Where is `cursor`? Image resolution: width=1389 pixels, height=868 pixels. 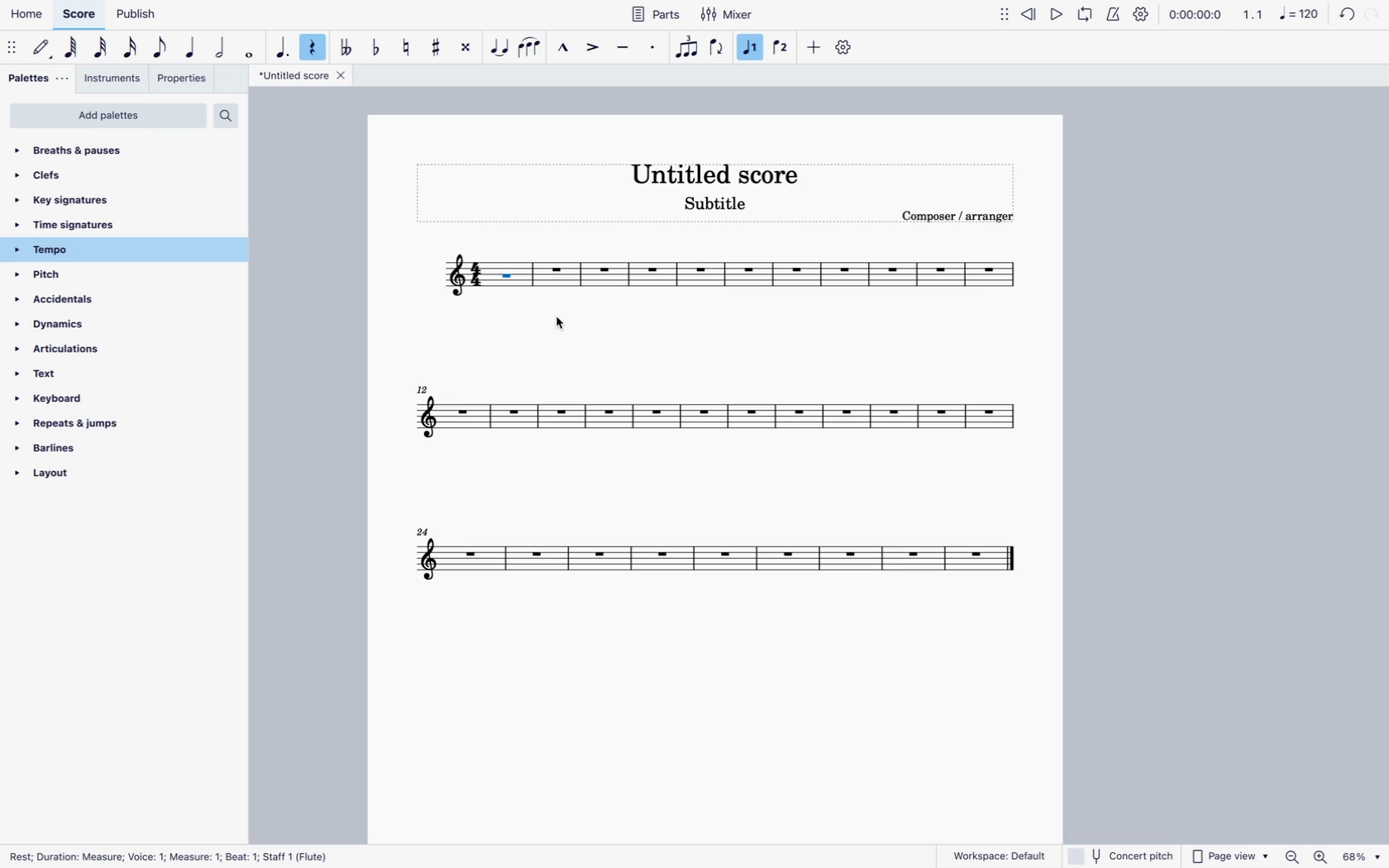 cursor is located at coordinates (559, 324).